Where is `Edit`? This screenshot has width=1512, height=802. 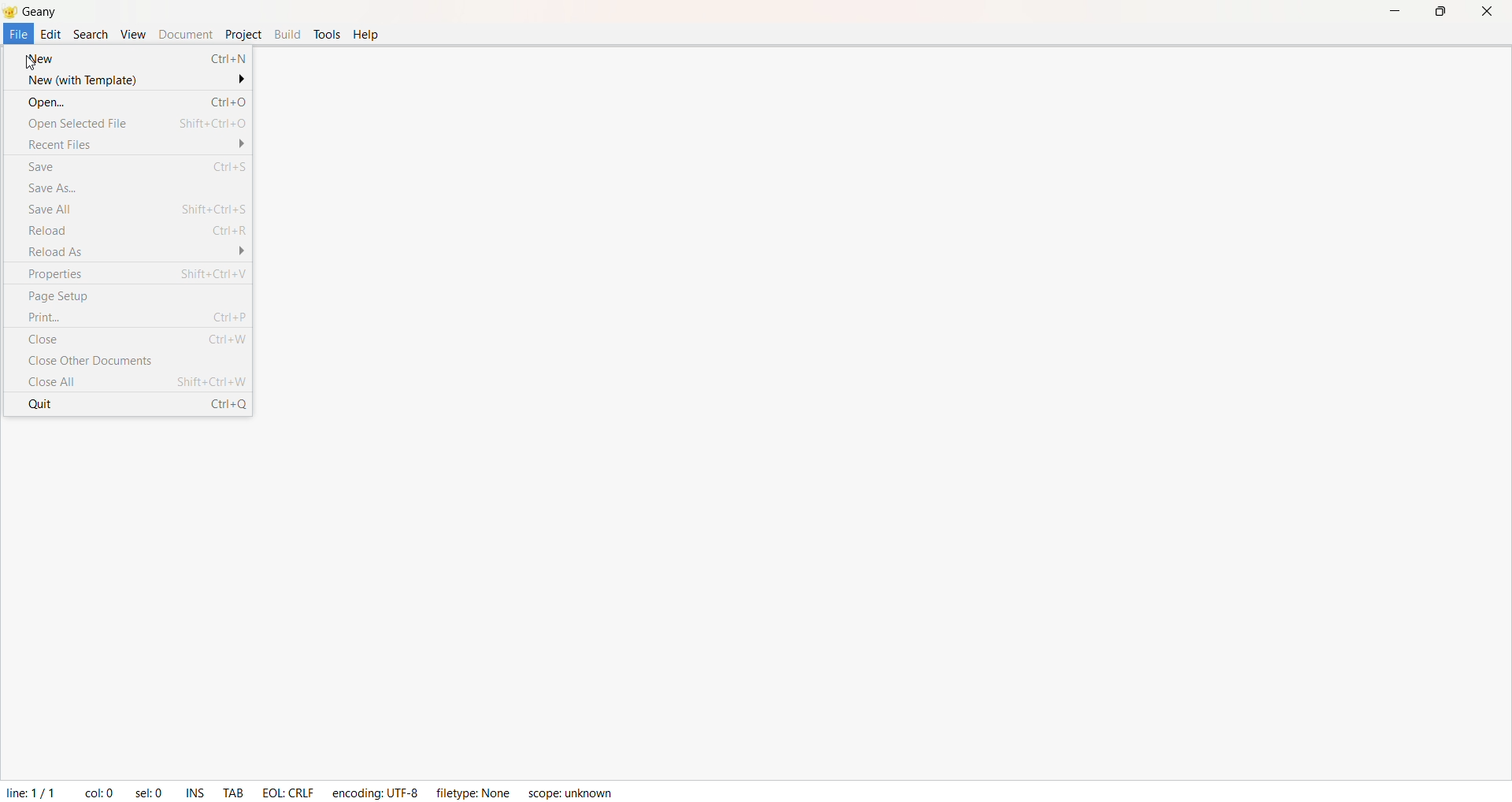
Edit is located at coordinates (52, 37).